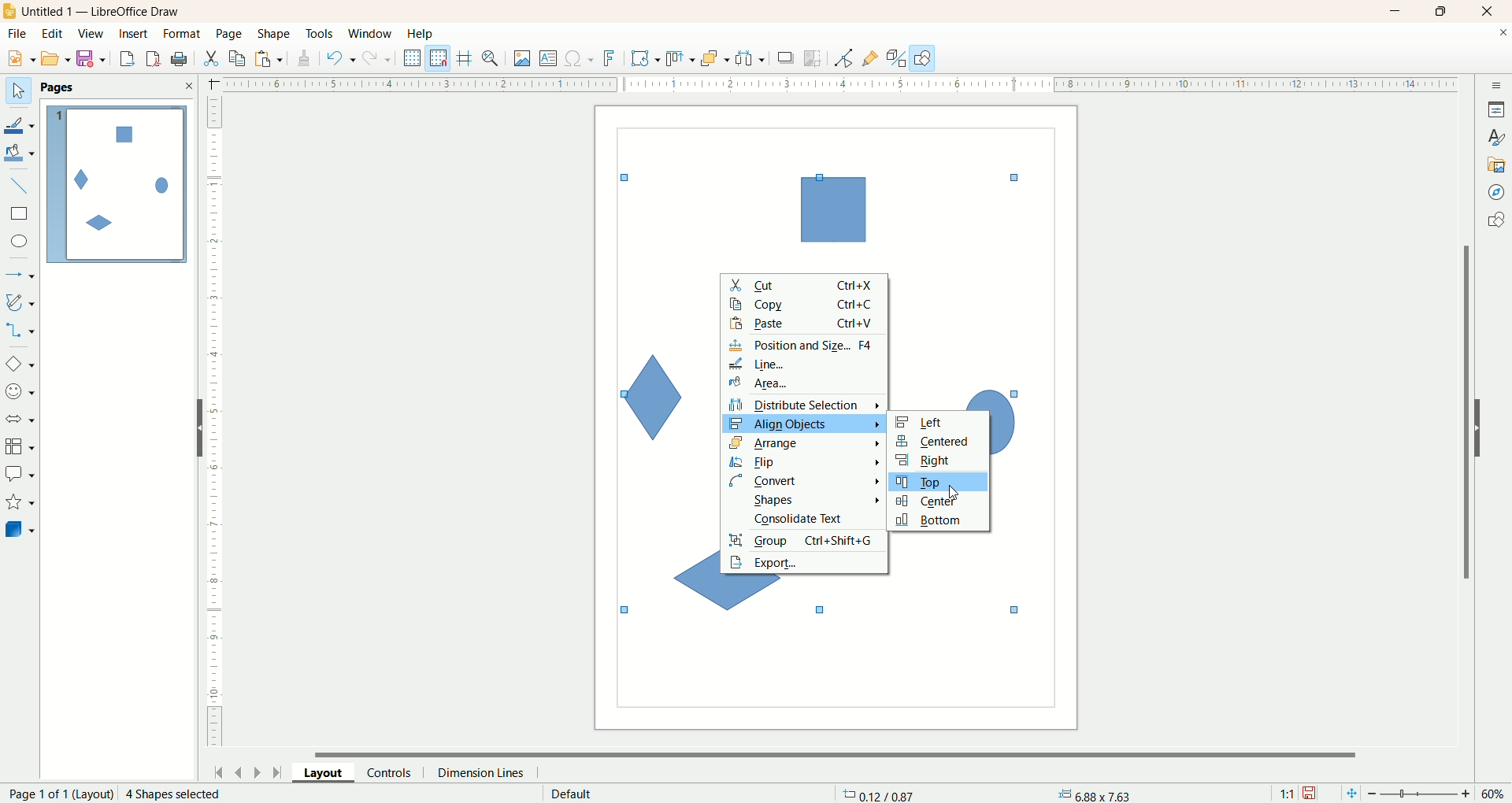  What do you see at coordinates (188, 86) in the screenshot?
I see `close` at bounding box center [188, 86].